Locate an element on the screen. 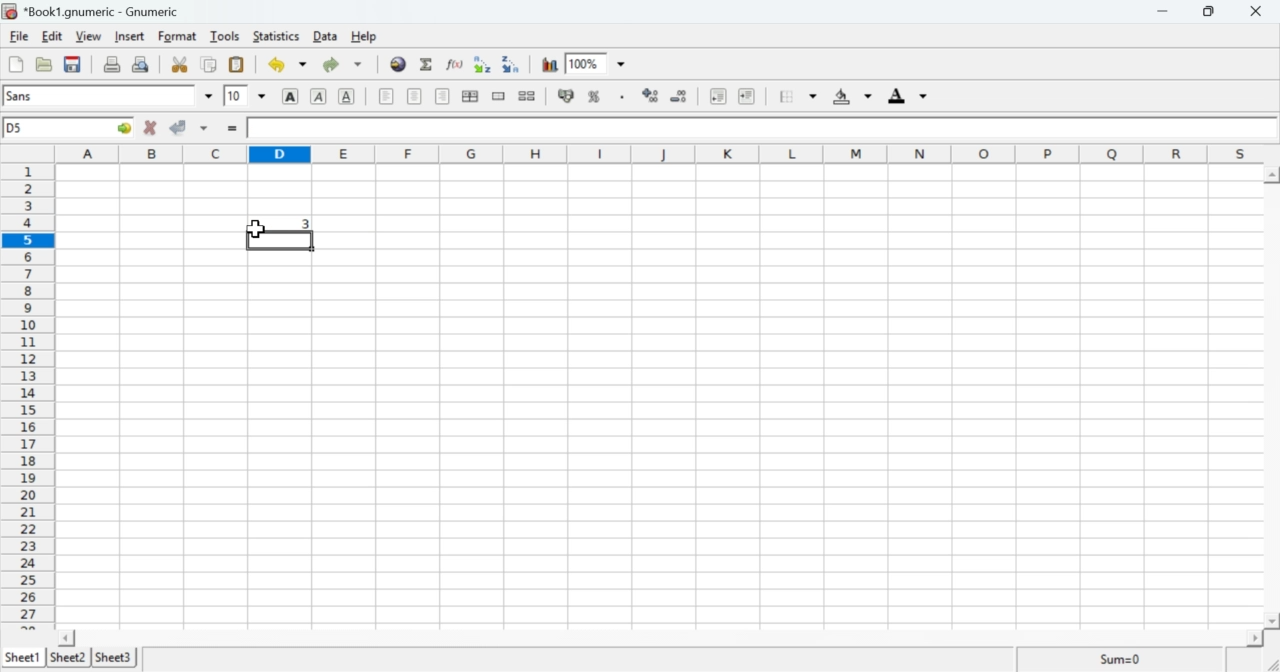  Underline is located at coordinates (348, 97).